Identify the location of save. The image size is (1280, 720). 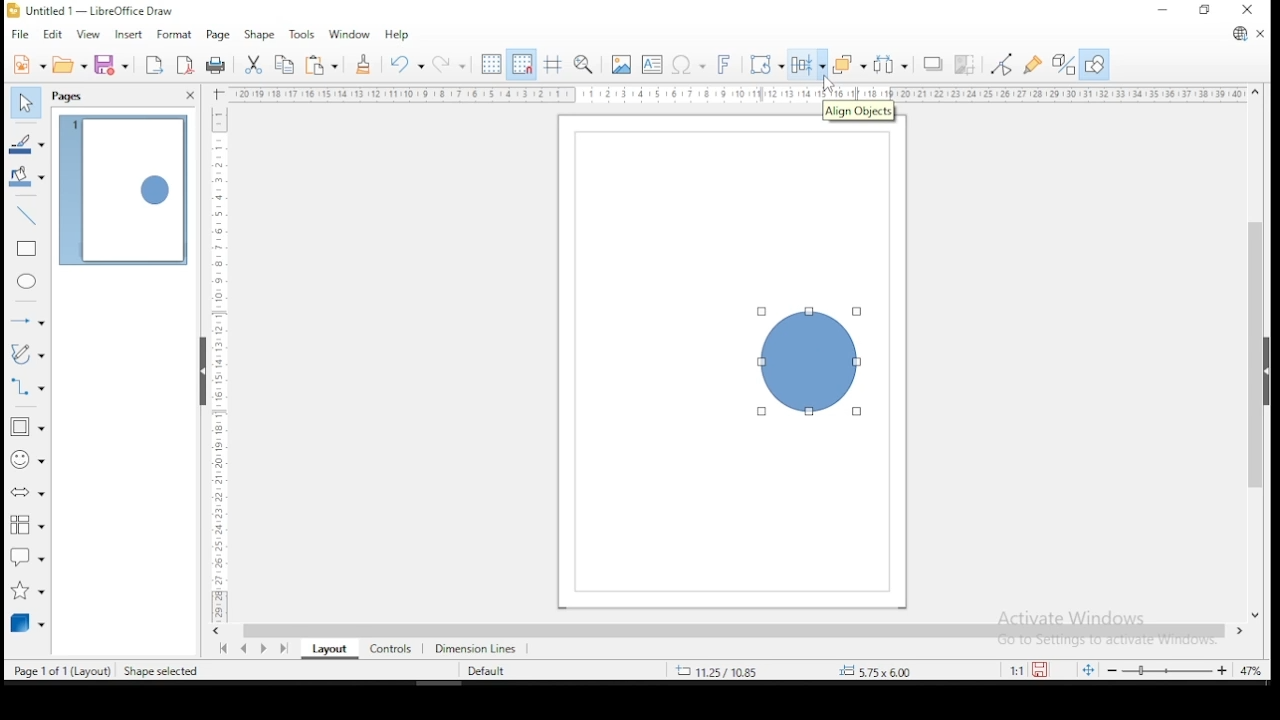
(111, 64).